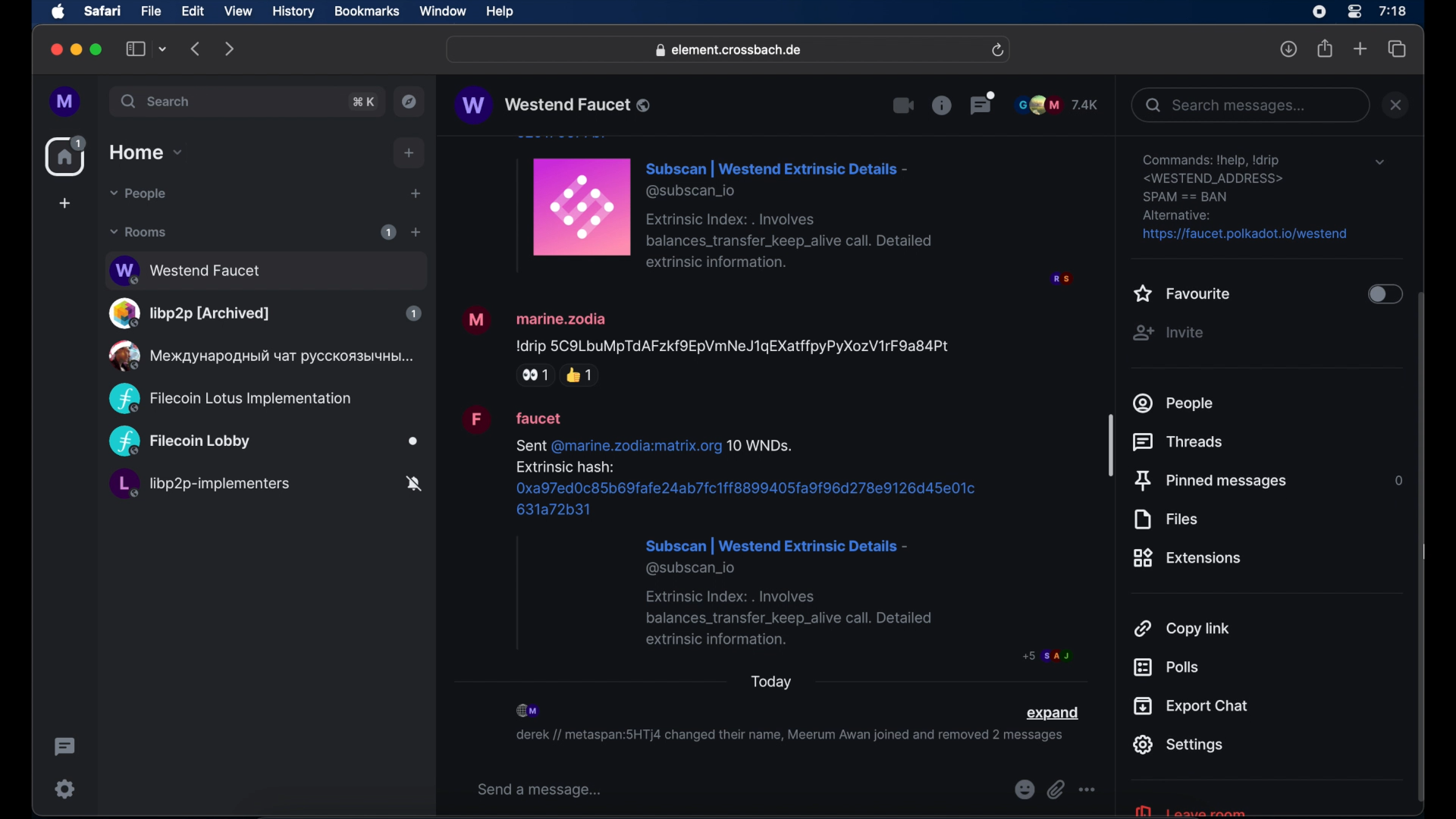 The height and width of the screenshot is (819, 1456). What do you see at coordinates (409, 153) in the screenshot?
I see `add` at bounding box center [409, 153].